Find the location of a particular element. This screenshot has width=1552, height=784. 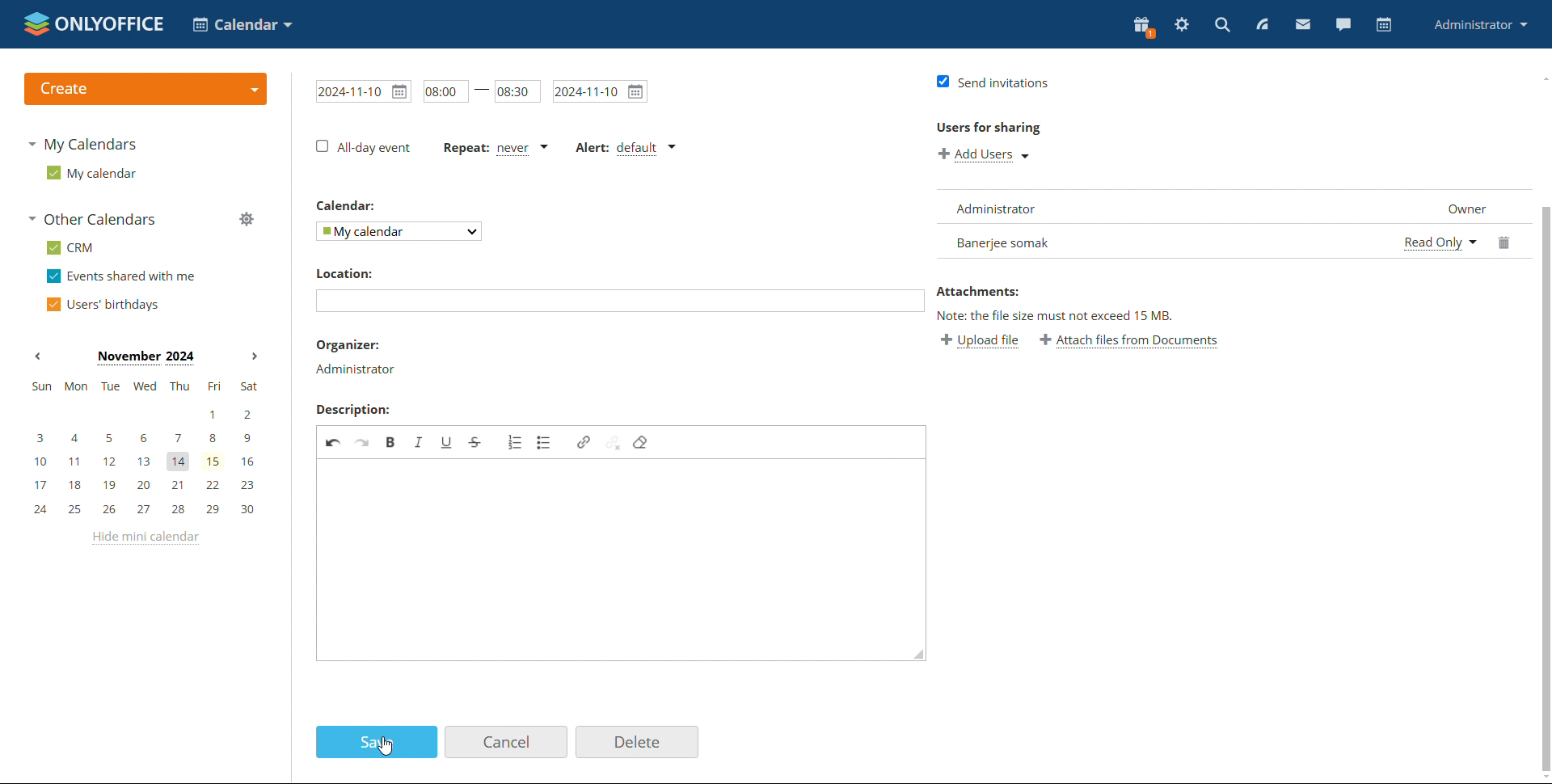

end date is located at coordinates (601, 91).